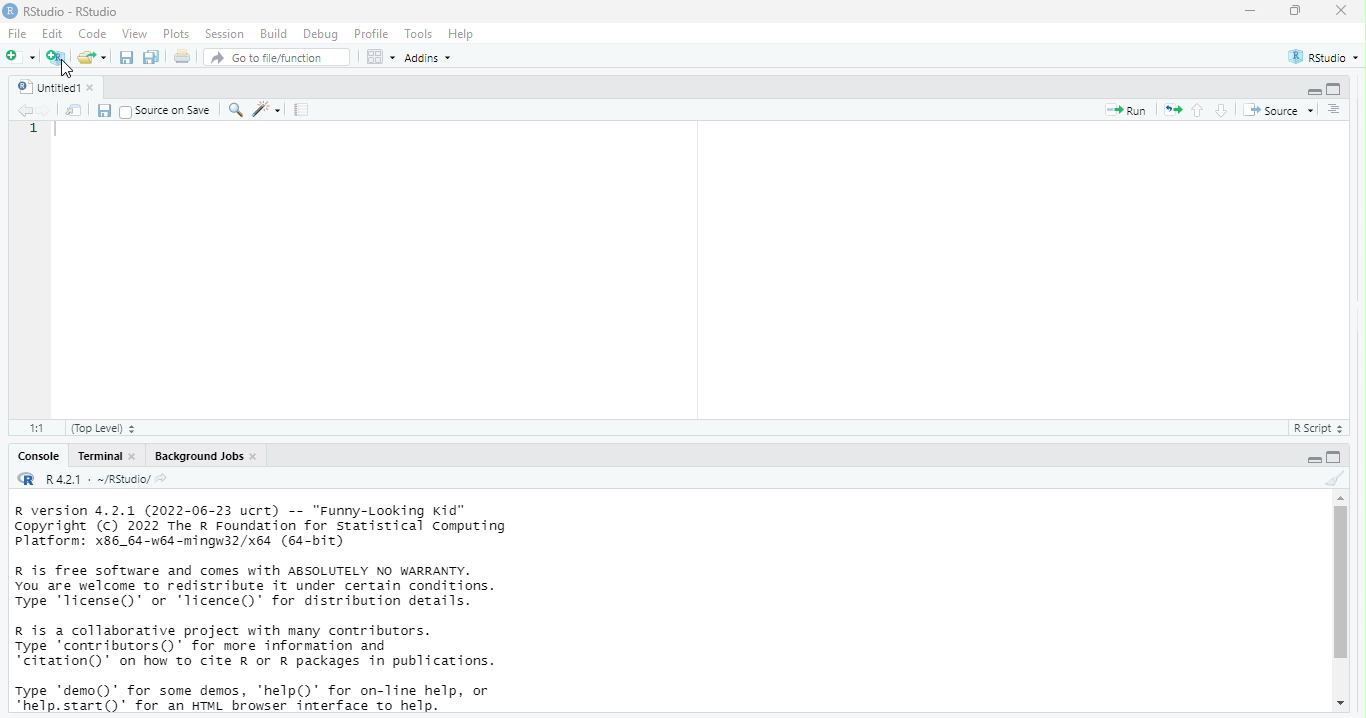  I want to click on description of any demo and help, so click(250, 696).